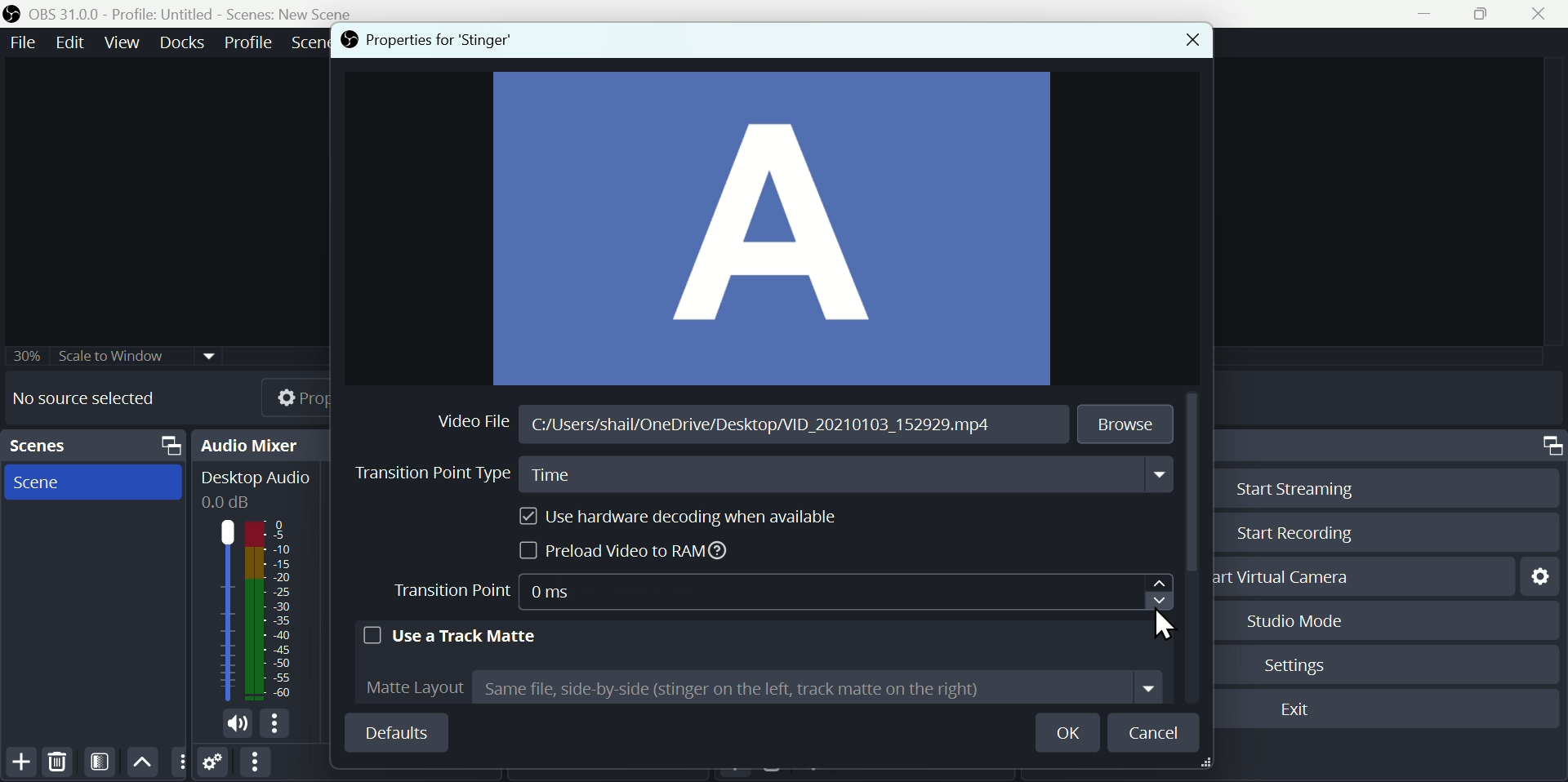 Image resolution: width=1568 pixels, height=782 pixels. Describe the element at coordinates (1488, 15) in the screenshot. I see `Maximise` at that location.